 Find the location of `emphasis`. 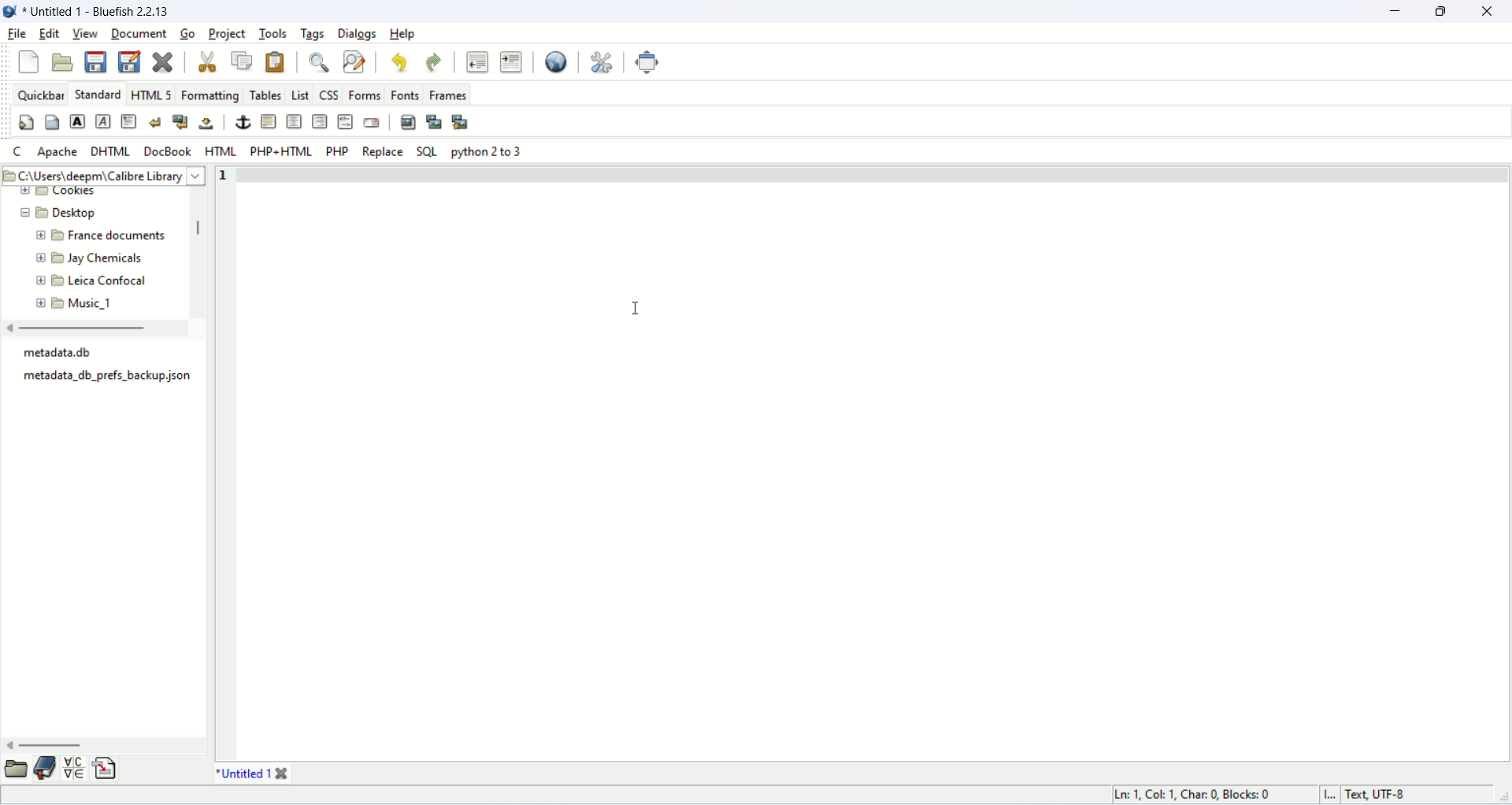

emphasis is located at coordinates (100, 121).